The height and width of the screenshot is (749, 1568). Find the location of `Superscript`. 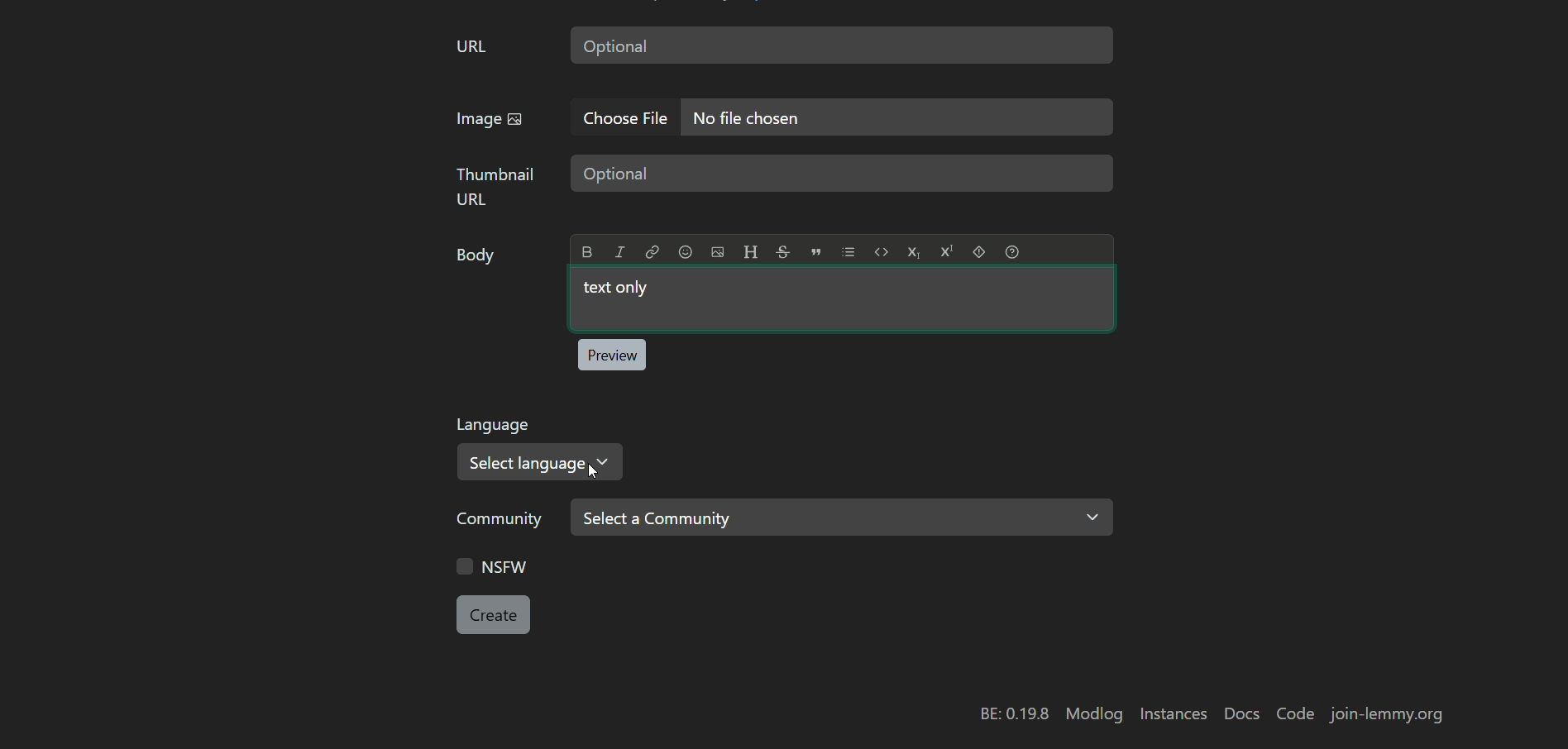

Superscript is located at coordinates (947, 251).